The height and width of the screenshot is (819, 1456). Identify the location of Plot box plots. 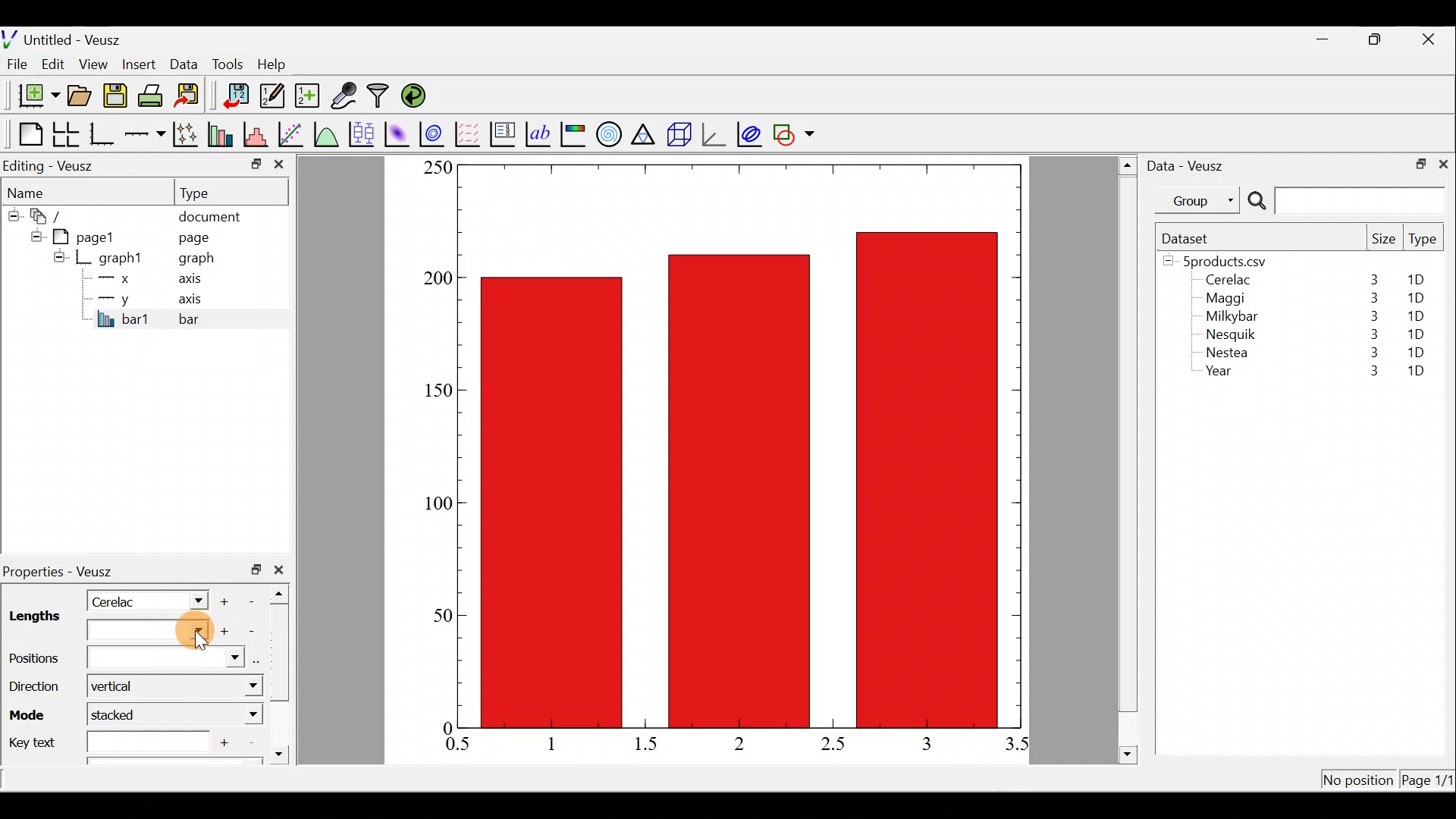
(363, 133).